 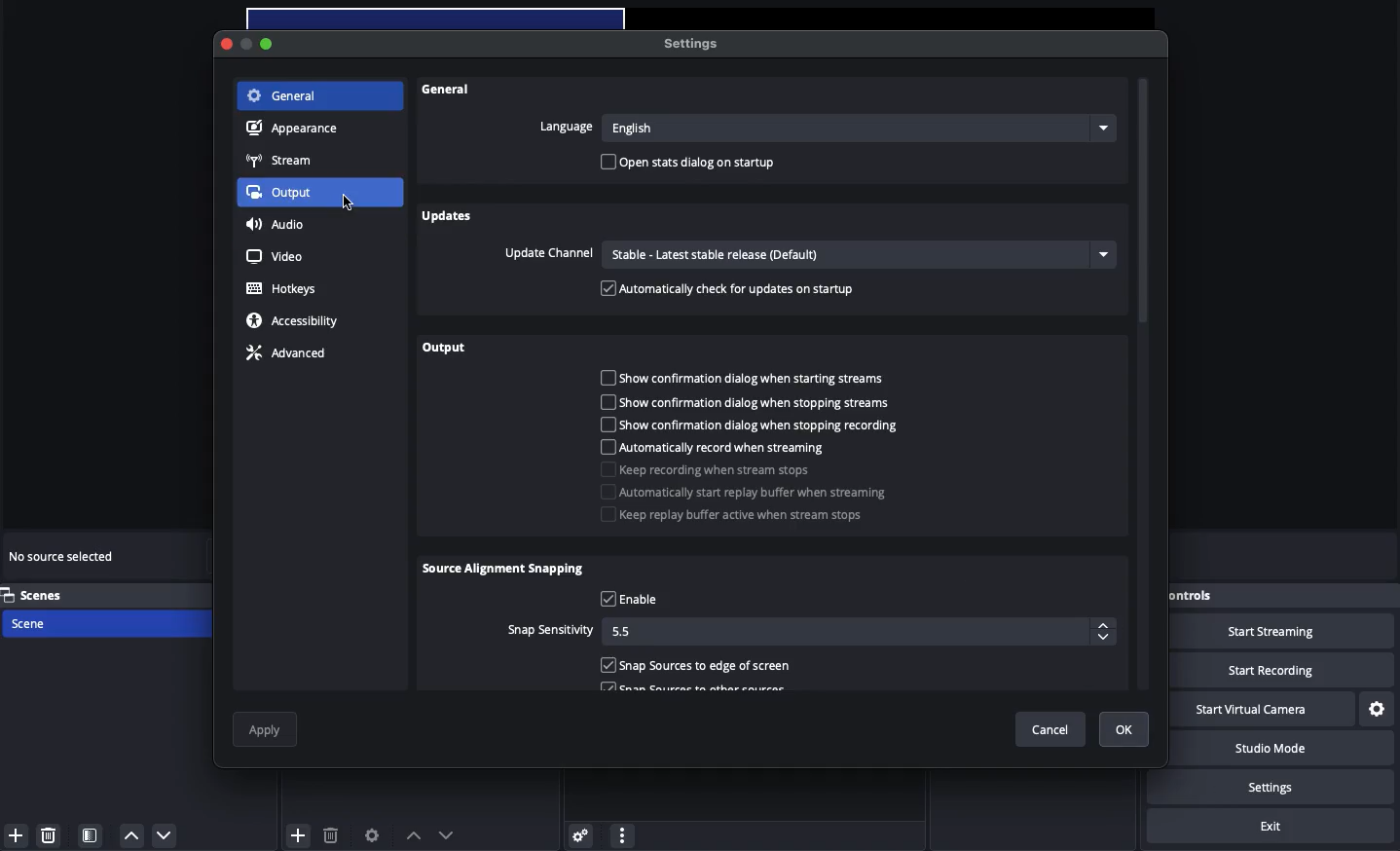 I want to click on Settings, so click(x=1378, y=710).